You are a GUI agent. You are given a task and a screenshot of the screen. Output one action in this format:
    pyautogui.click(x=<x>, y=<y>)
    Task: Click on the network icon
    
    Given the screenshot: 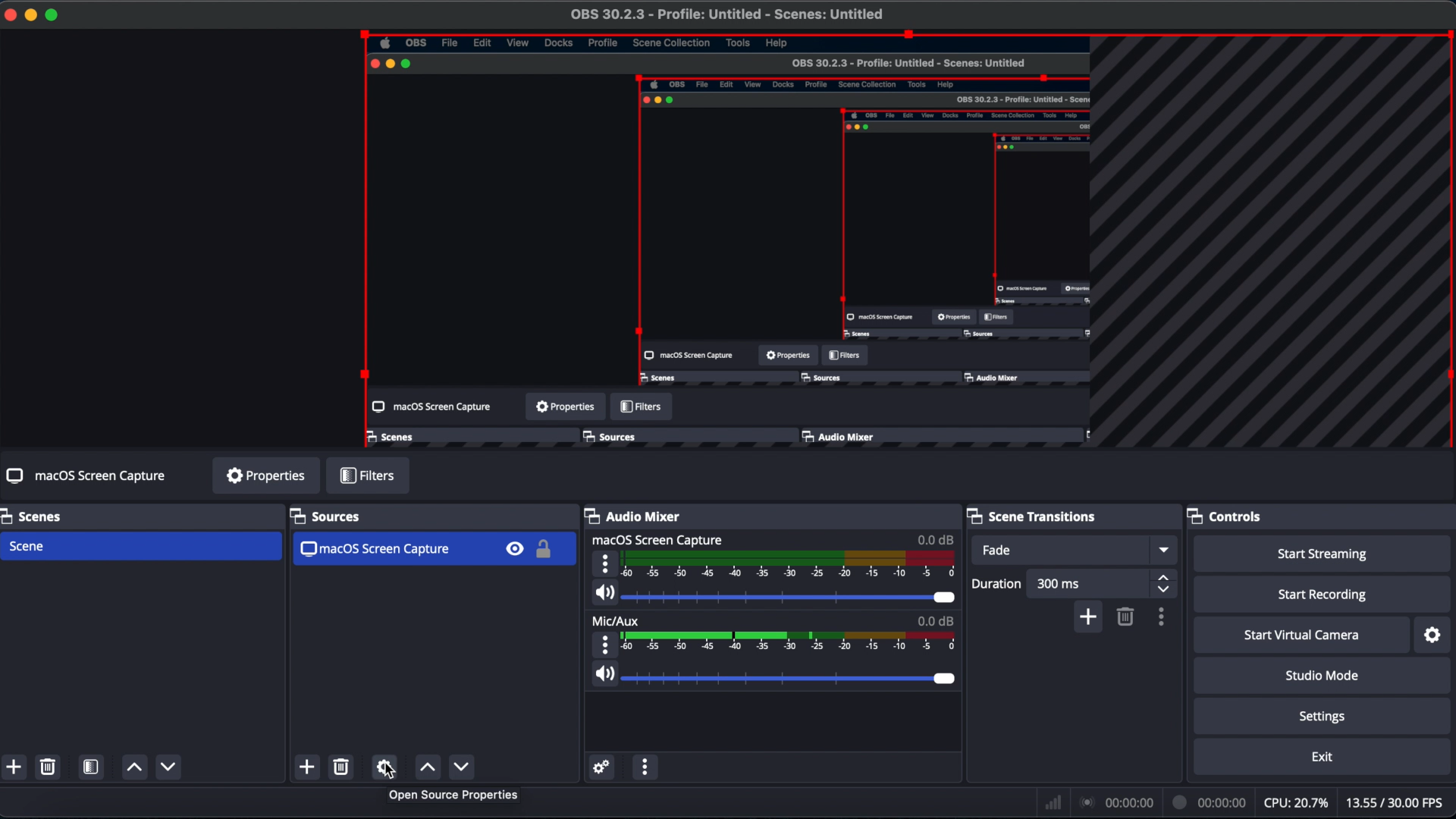 What is the action you would take?
    pyautogui.click(x=1051, y=802)
    